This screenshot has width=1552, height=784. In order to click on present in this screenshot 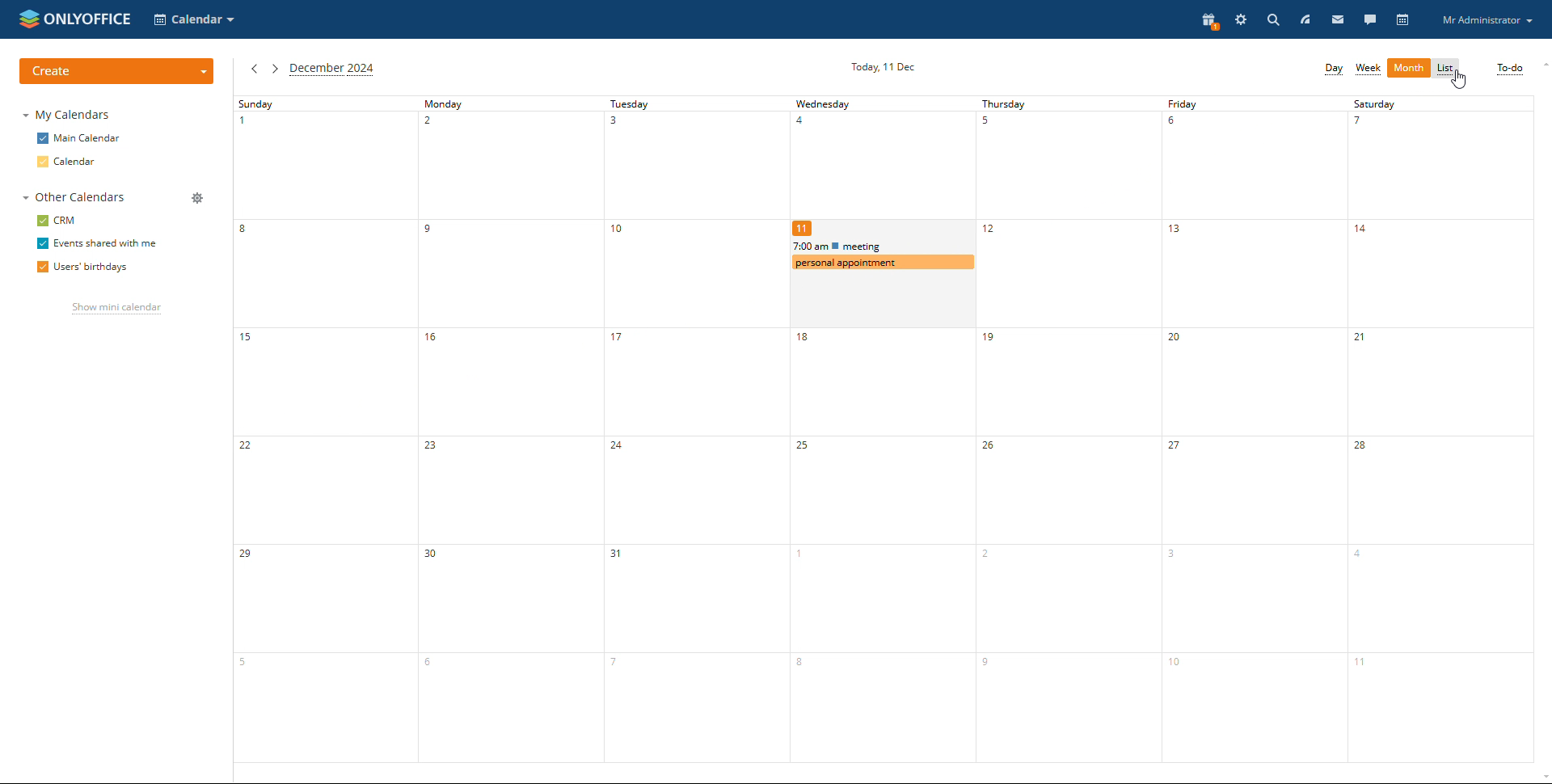, I will do `click(1208, 20)`.